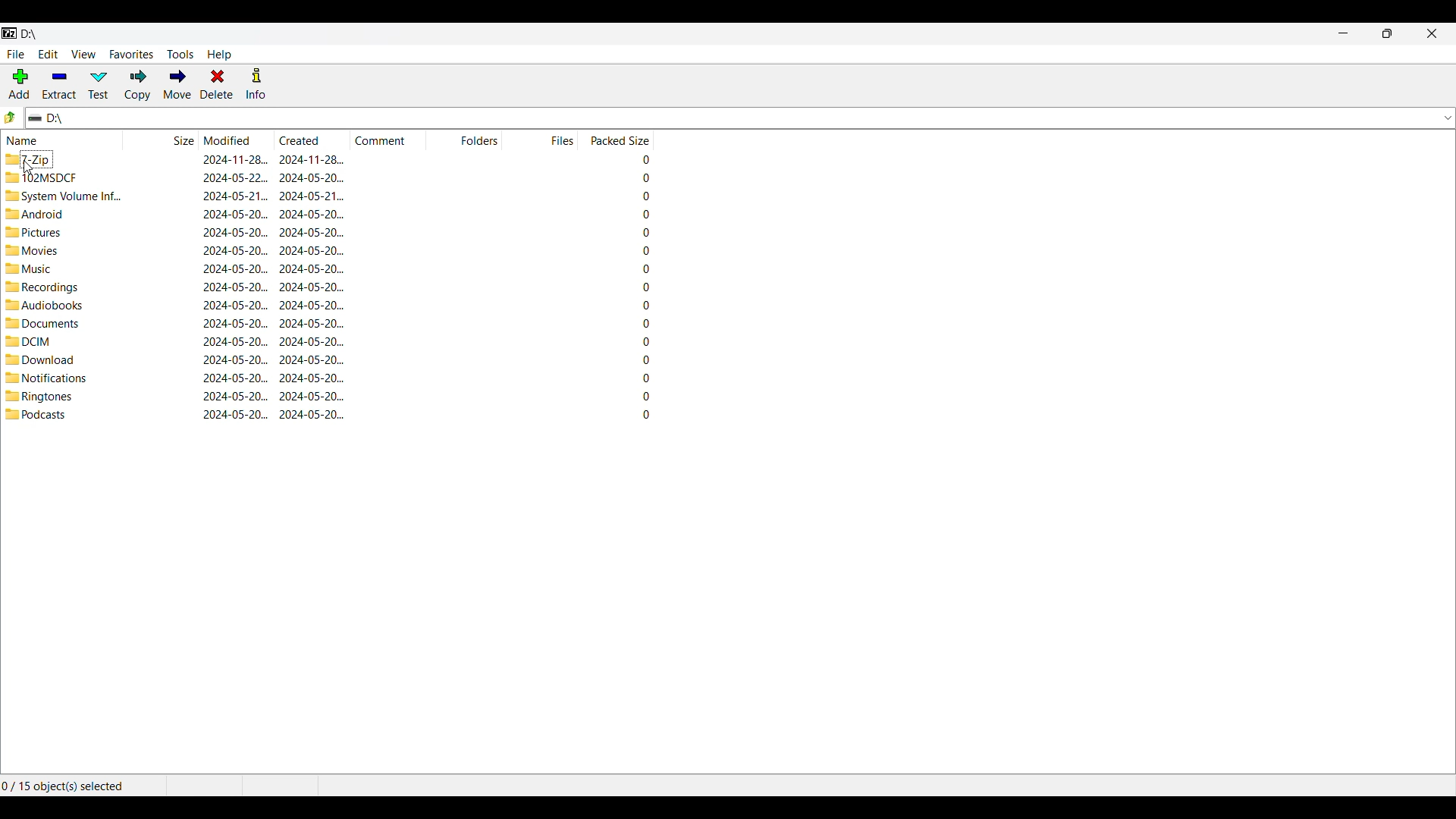  Describe the element at coordinates (312, 396) in the screenshot. I see `created date & time` at that location.